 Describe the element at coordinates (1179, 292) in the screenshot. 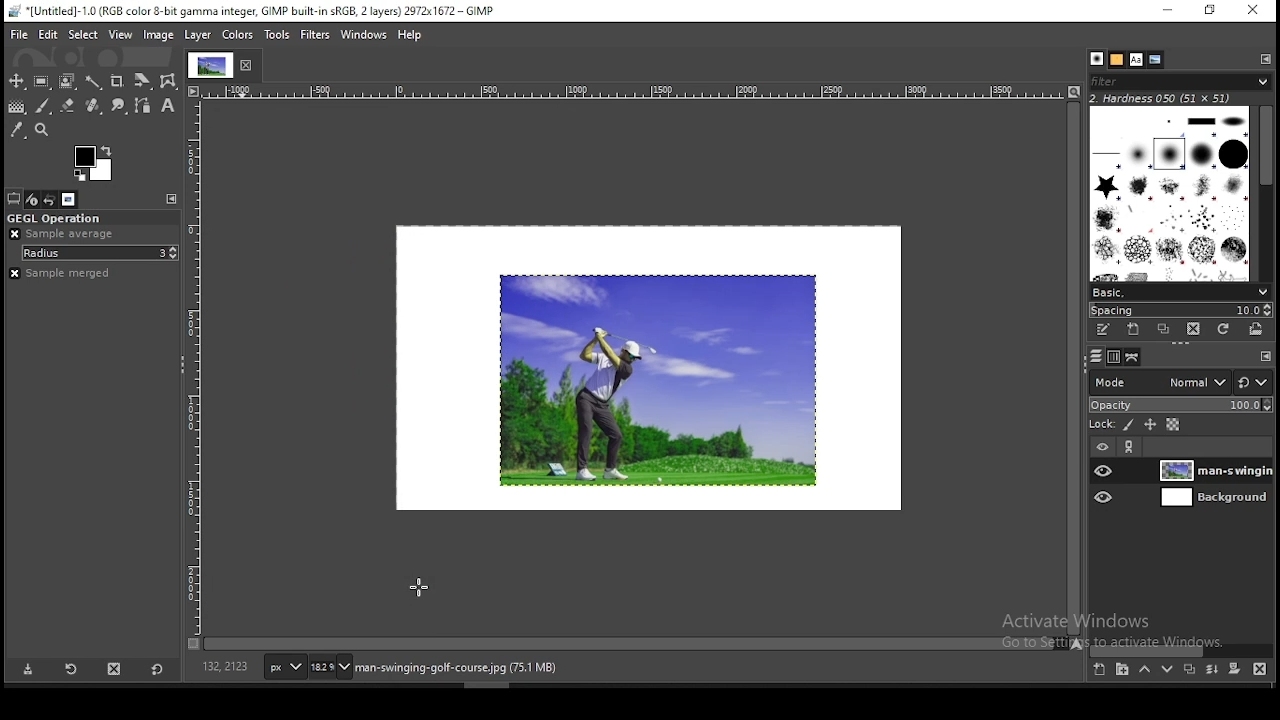

I see `brush presets` at that location.